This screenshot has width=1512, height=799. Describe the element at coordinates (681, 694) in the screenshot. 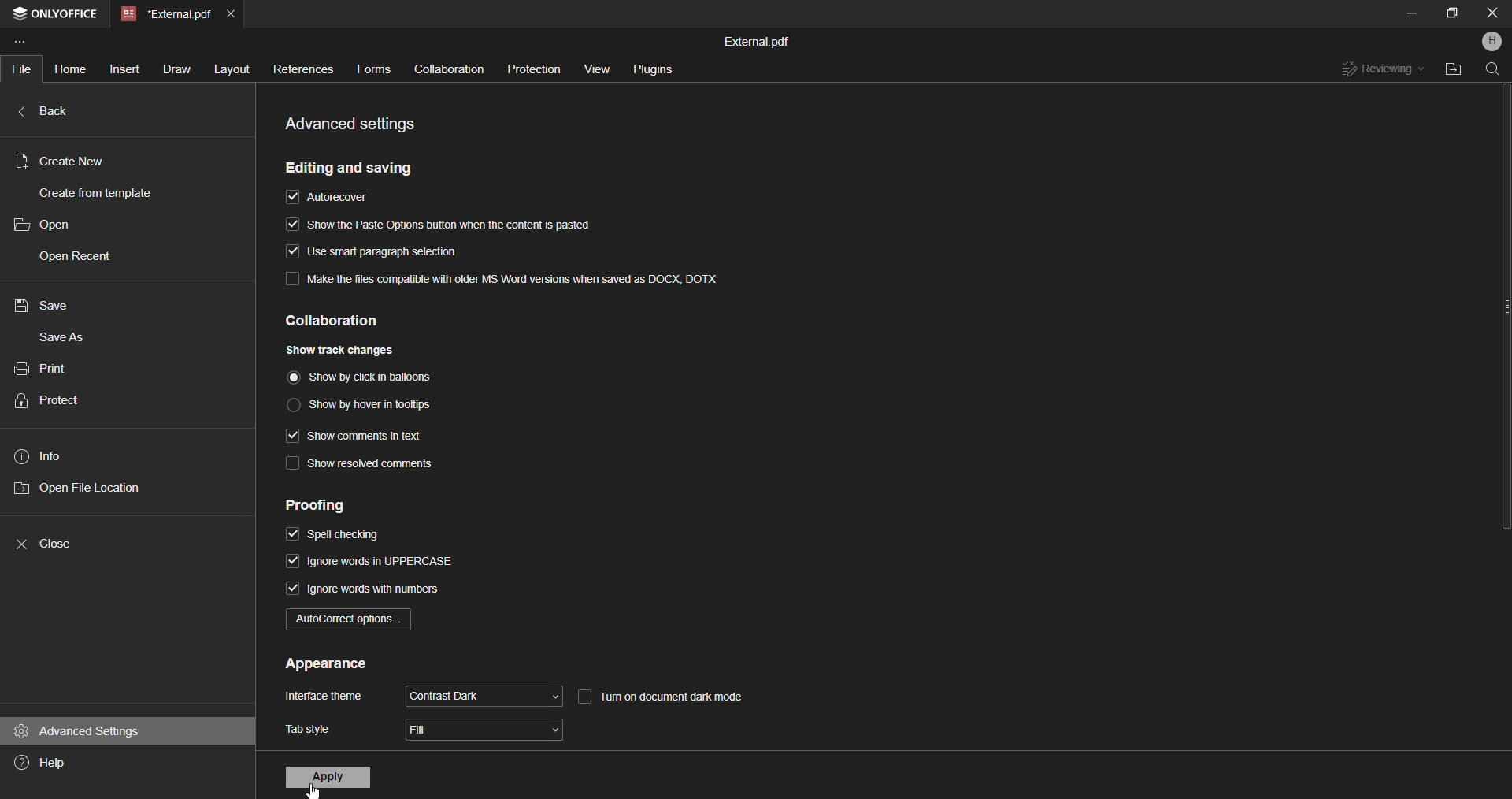

I see `turn on dark mode` at that location.